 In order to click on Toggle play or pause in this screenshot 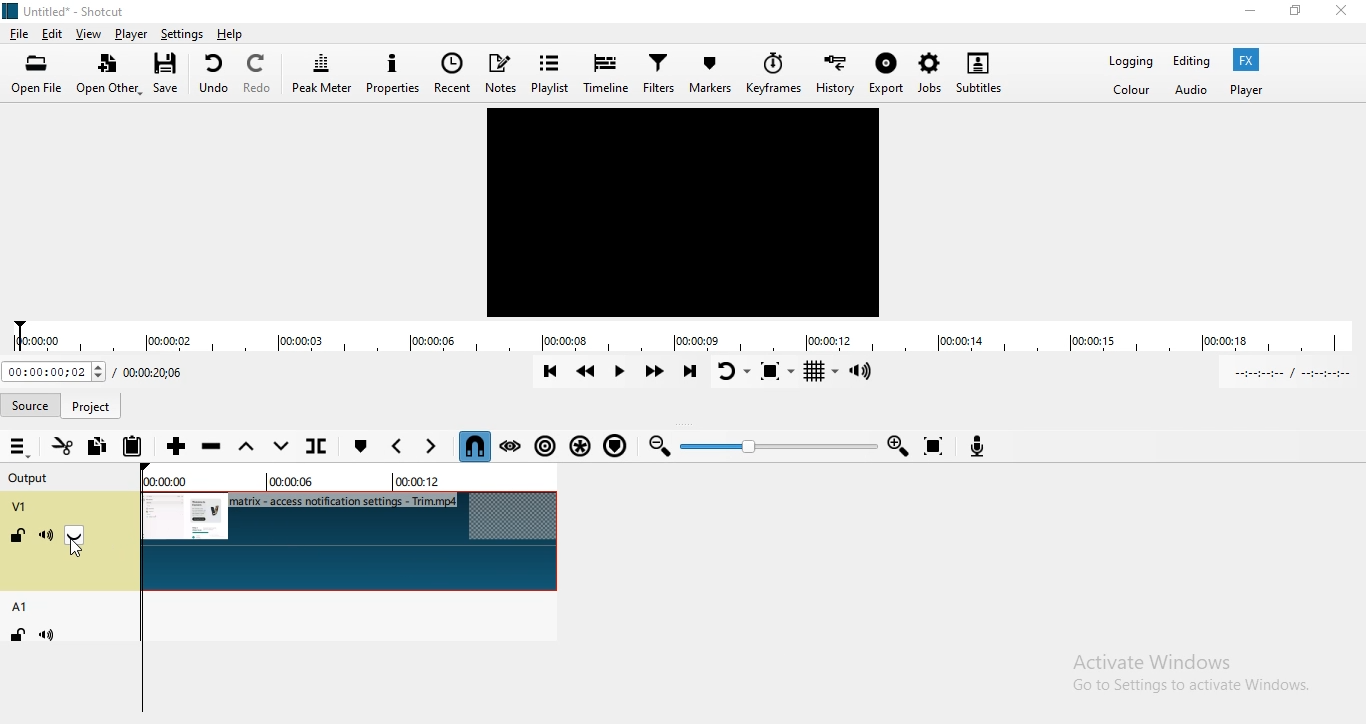, I will do `click(622, 370)`.